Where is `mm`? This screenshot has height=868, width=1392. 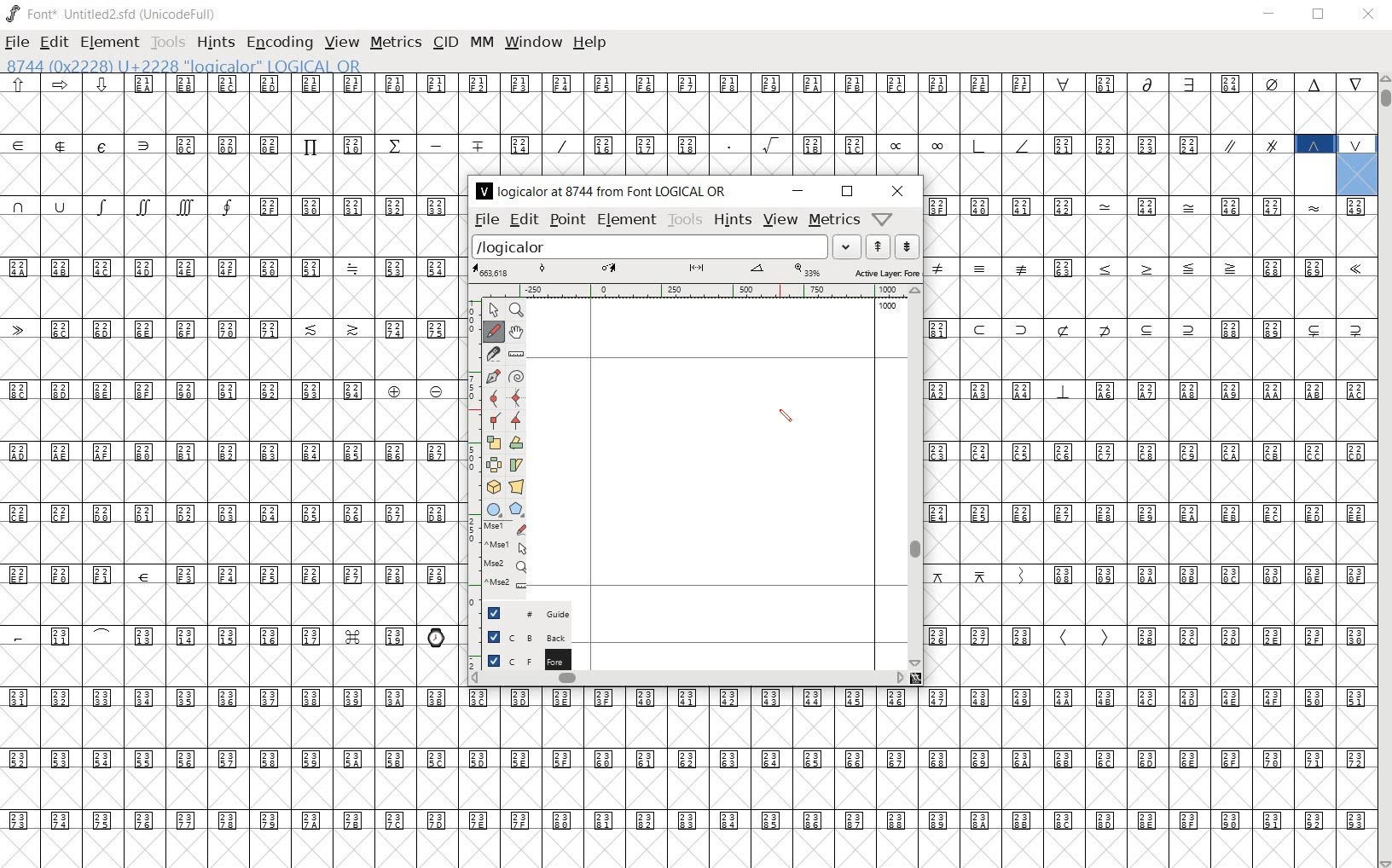
mm is located at coordinates (479, 42).